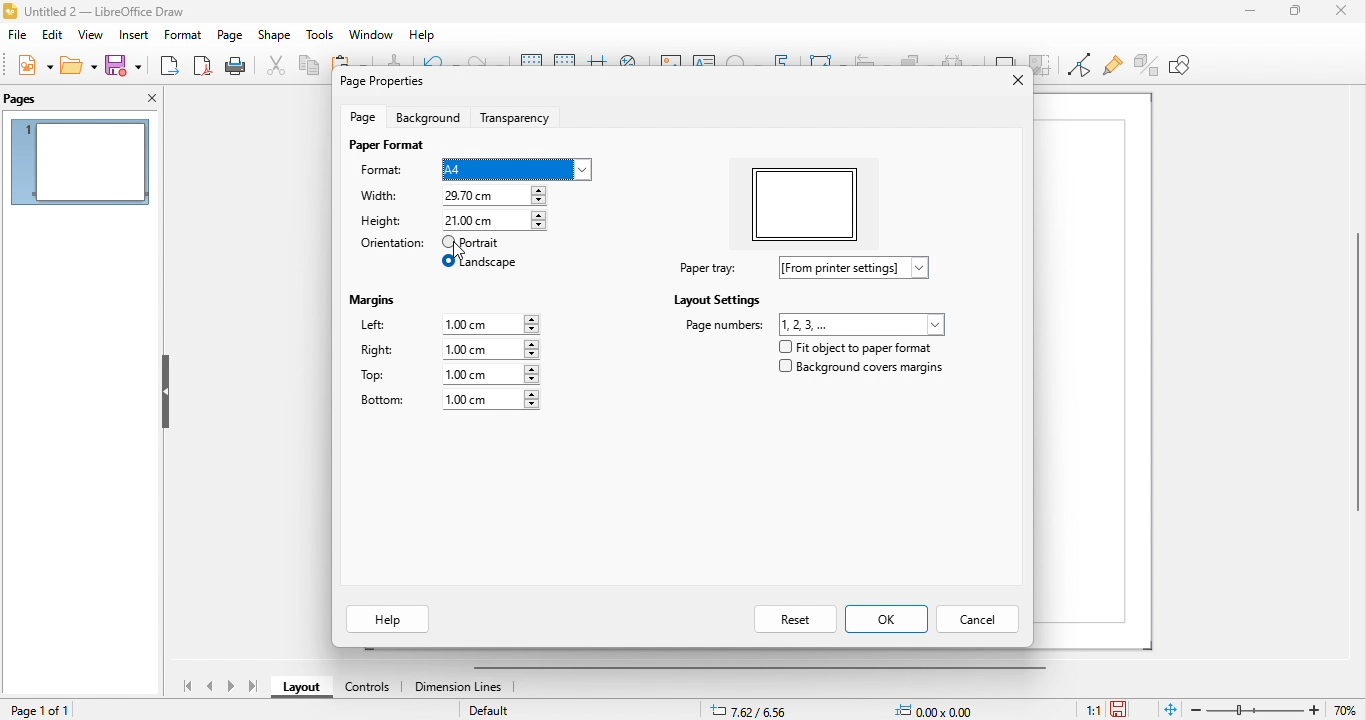 This screenshot has height=720, width=1366. I want to click on landscape, so click(481, 264).